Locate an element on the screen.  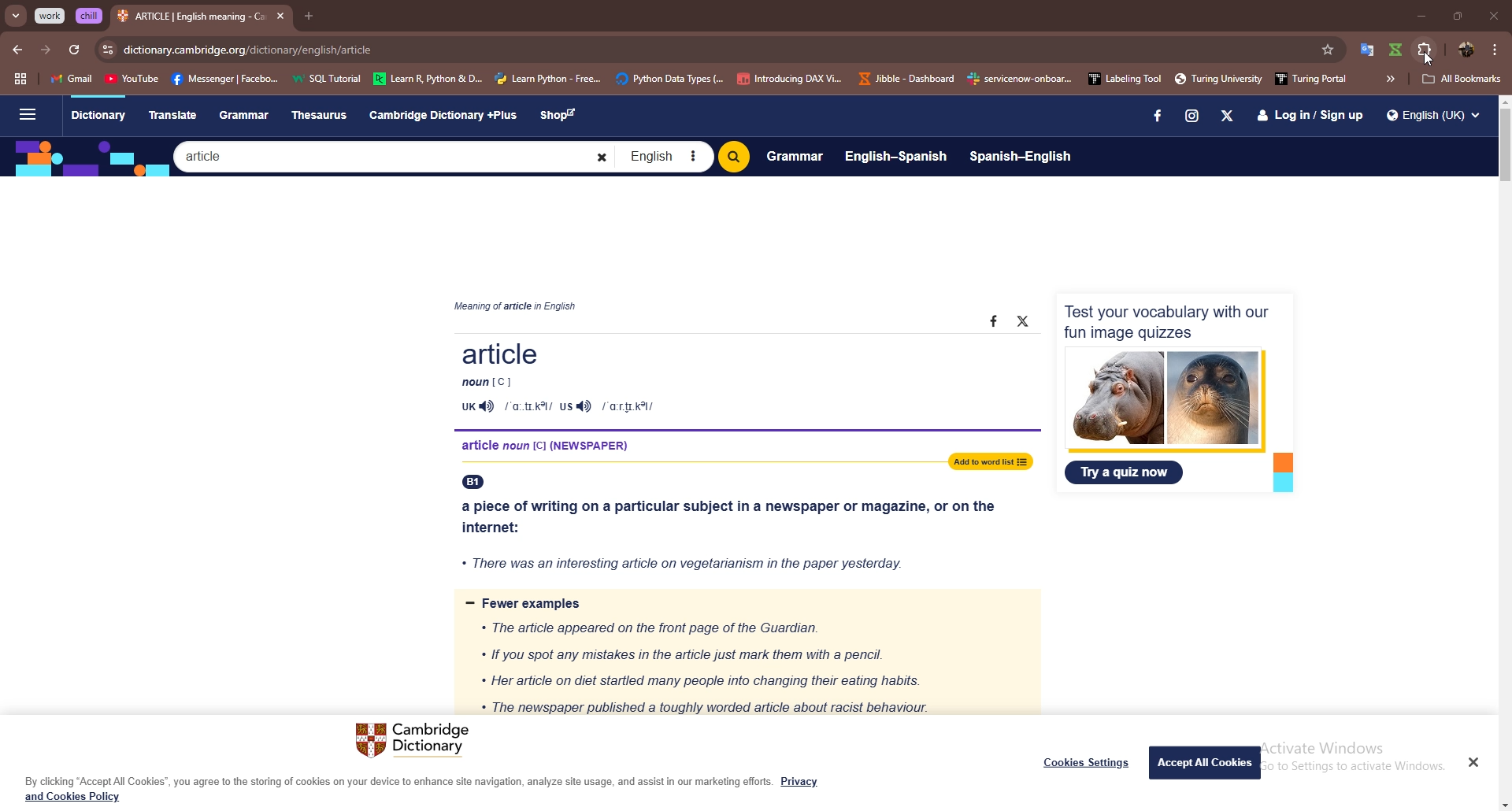
Search bar is located at coordinates (394, 156).